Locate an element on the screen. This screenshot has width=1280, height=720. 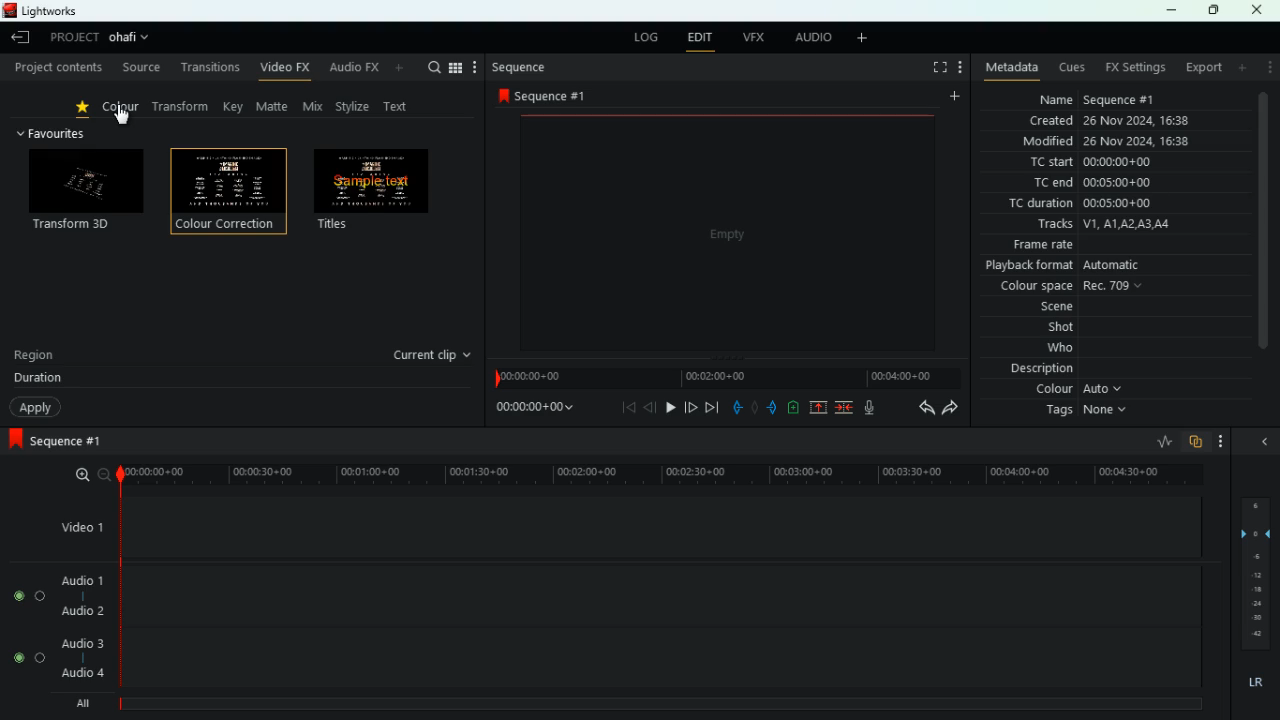
colour correction is located at coordinates (230, 196).